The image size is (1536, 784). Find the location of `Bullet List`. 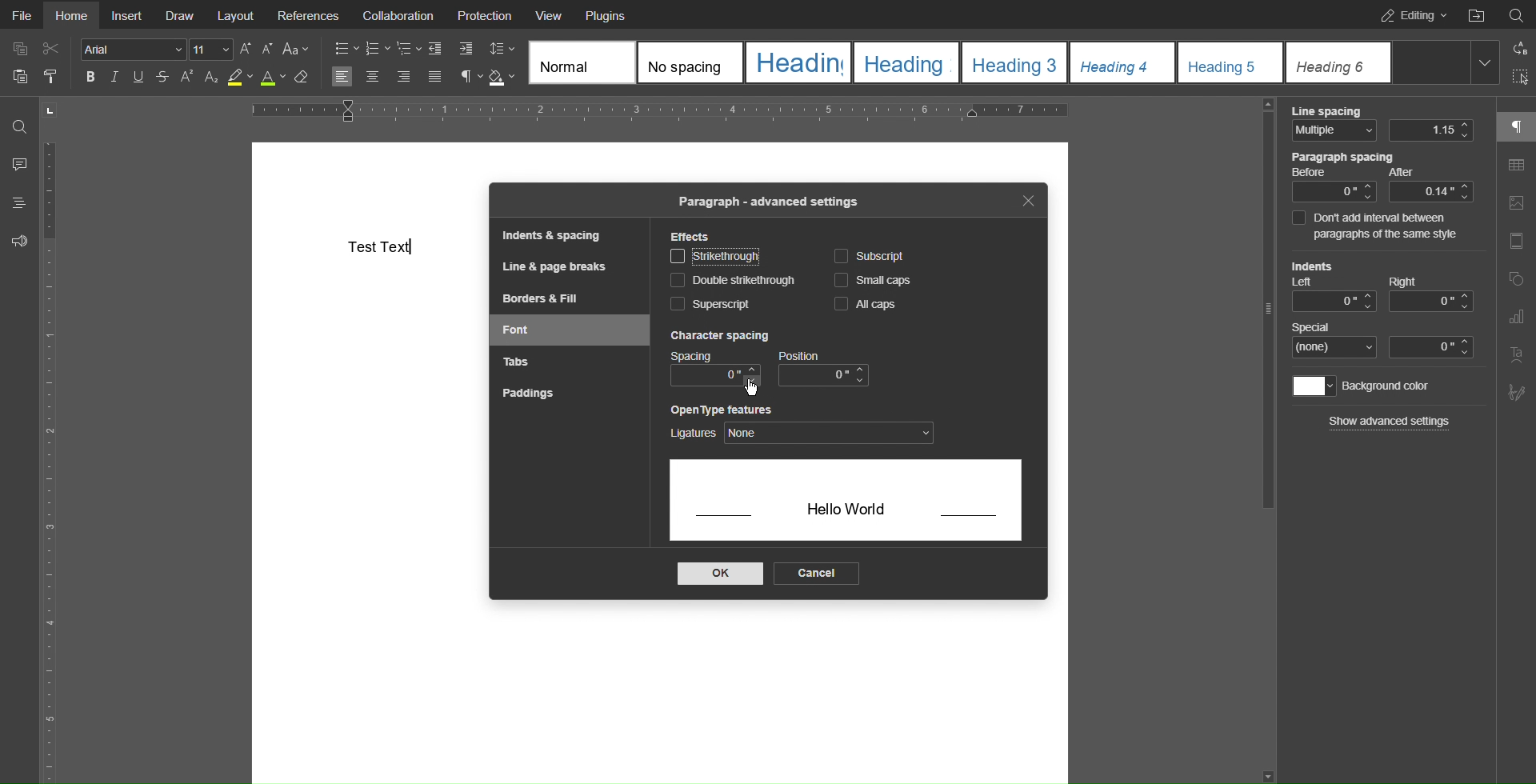

Bullet List is located at coordinates (346, 50).